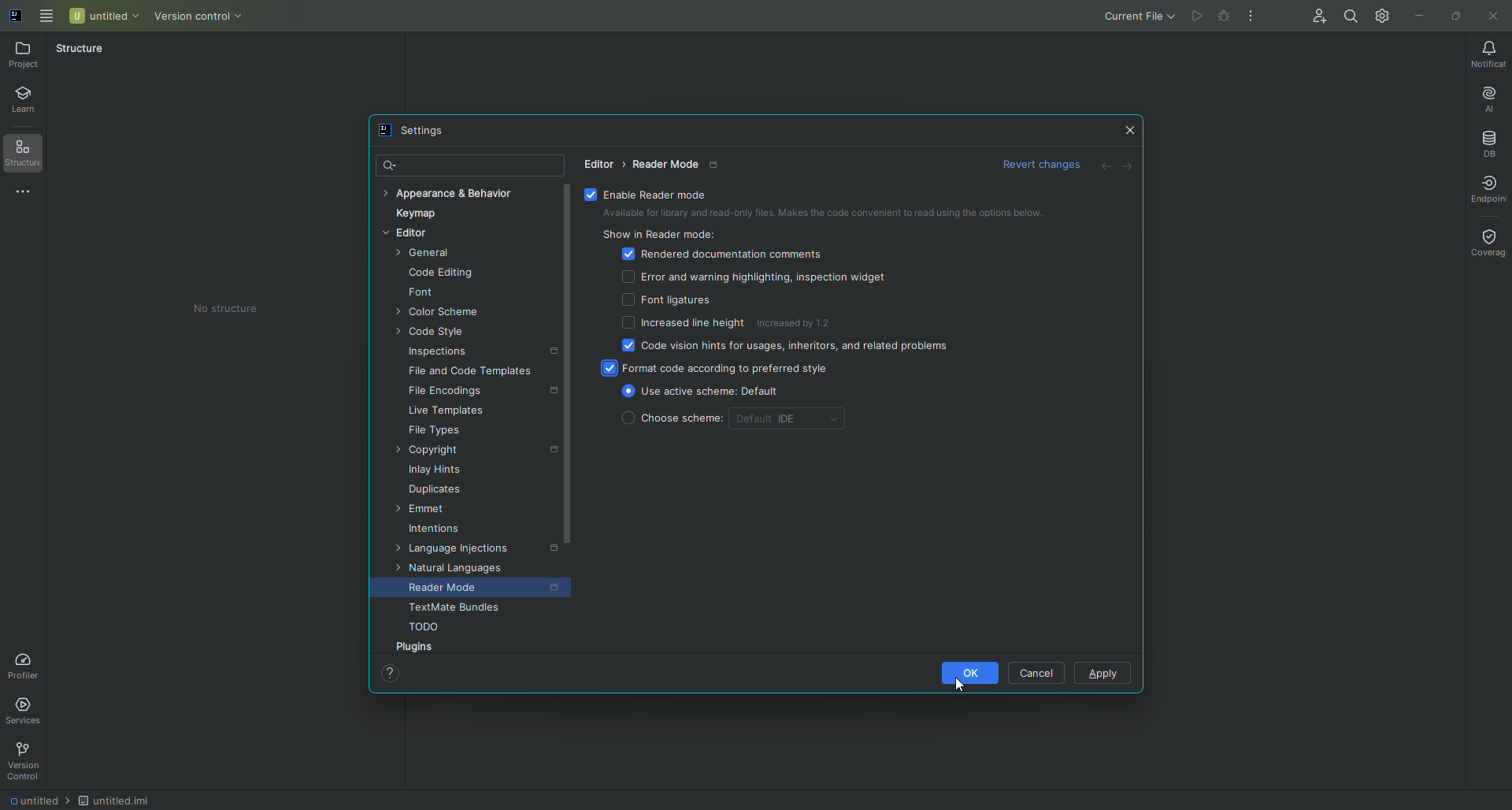 Image resolution: width=1512 pixels, height=810 pixels. I want to click on Keymap, so click(412, 214).